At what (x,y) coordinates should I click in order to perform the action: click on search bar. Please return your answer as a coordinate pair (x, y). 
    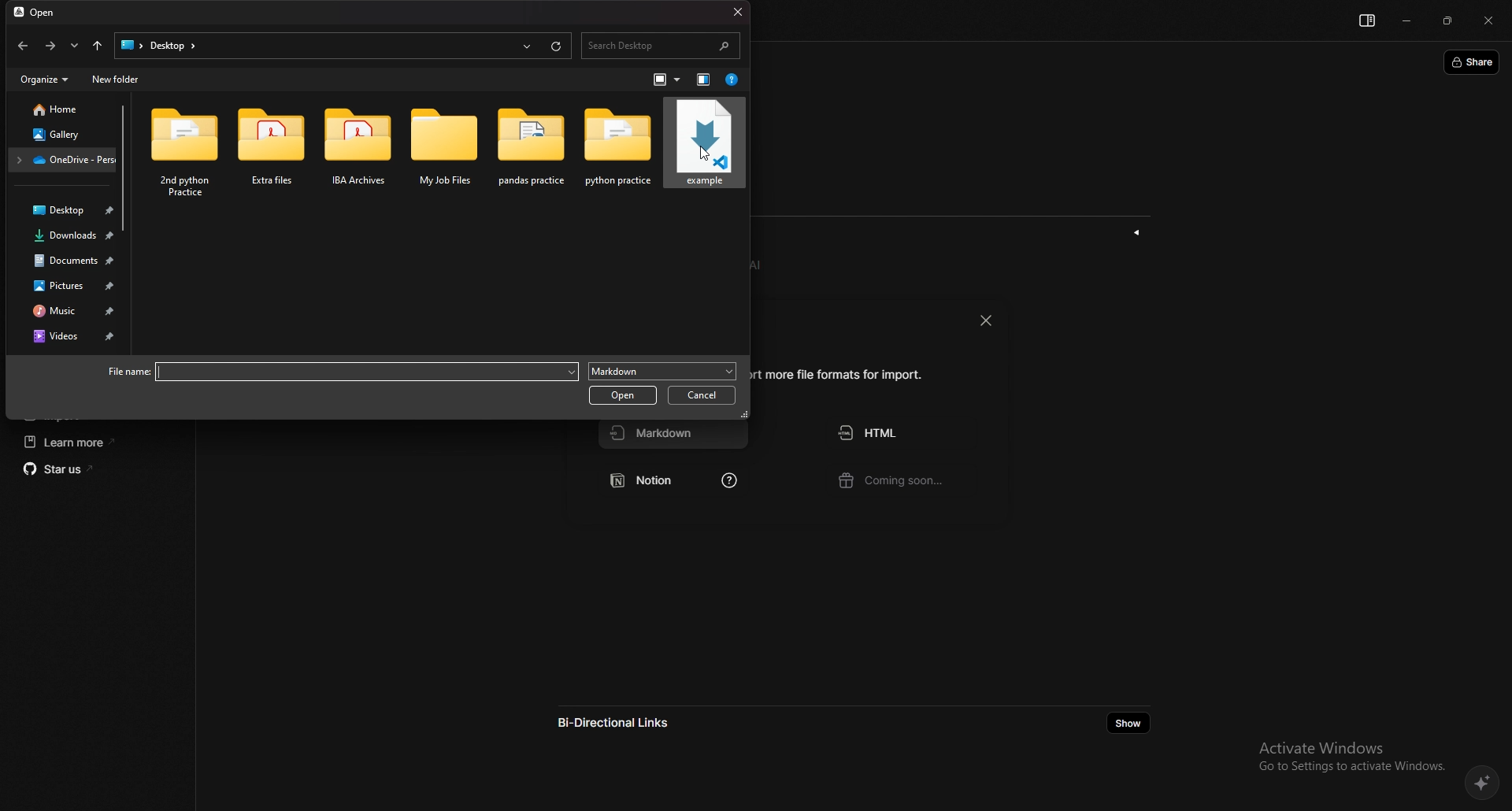
    Looking at the image, I should click on (661, 45).